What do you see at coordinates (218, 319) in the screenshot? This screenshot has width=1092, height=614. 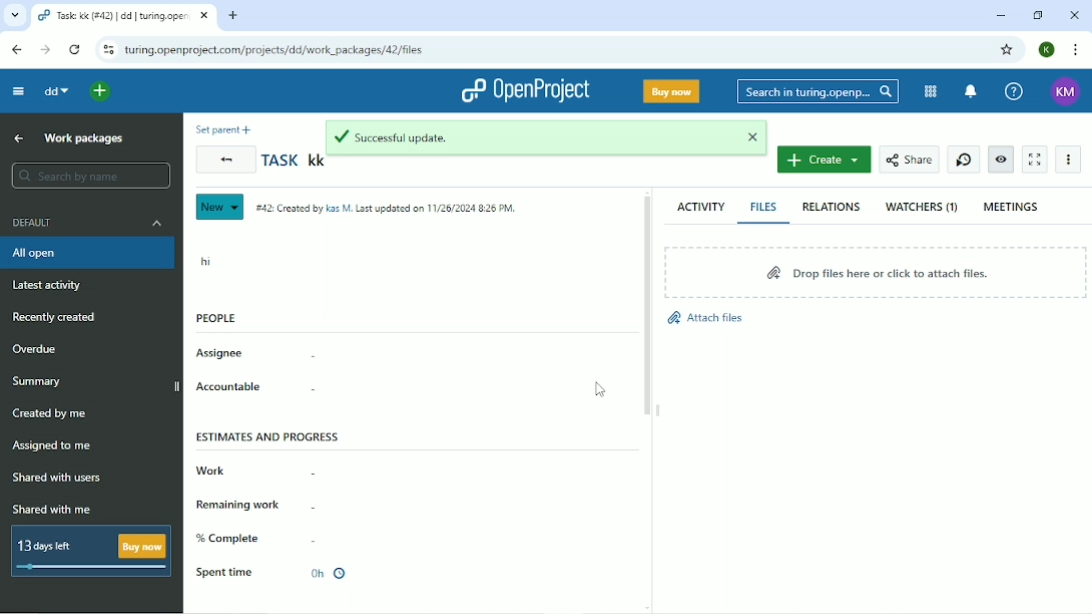 I see `People` at bounding box center [218, 319].